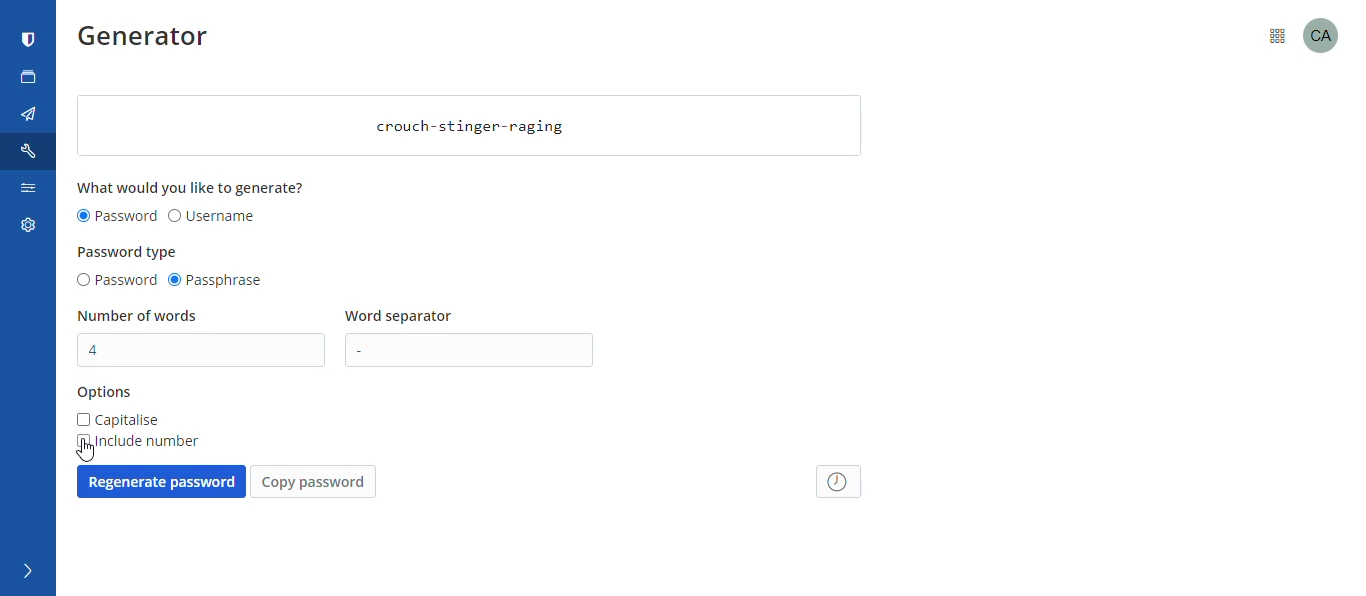  I want to click on new tab, so click(29, 77).